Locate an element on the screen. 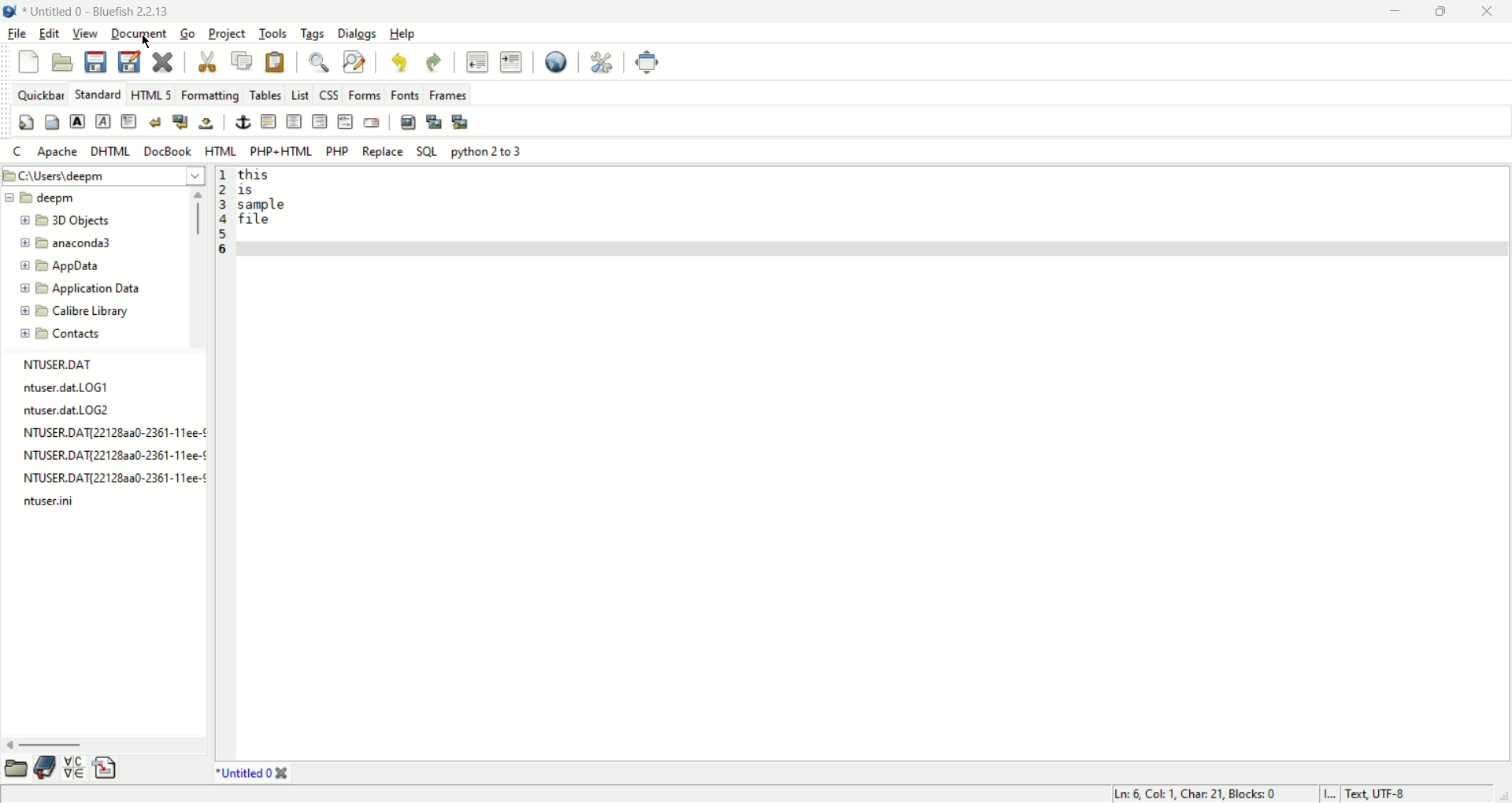 This screenshot has height=803, width=1512. NTUSER.DAT{221282a0-2361-11ee-¢ is located at coordinates (113, 454).